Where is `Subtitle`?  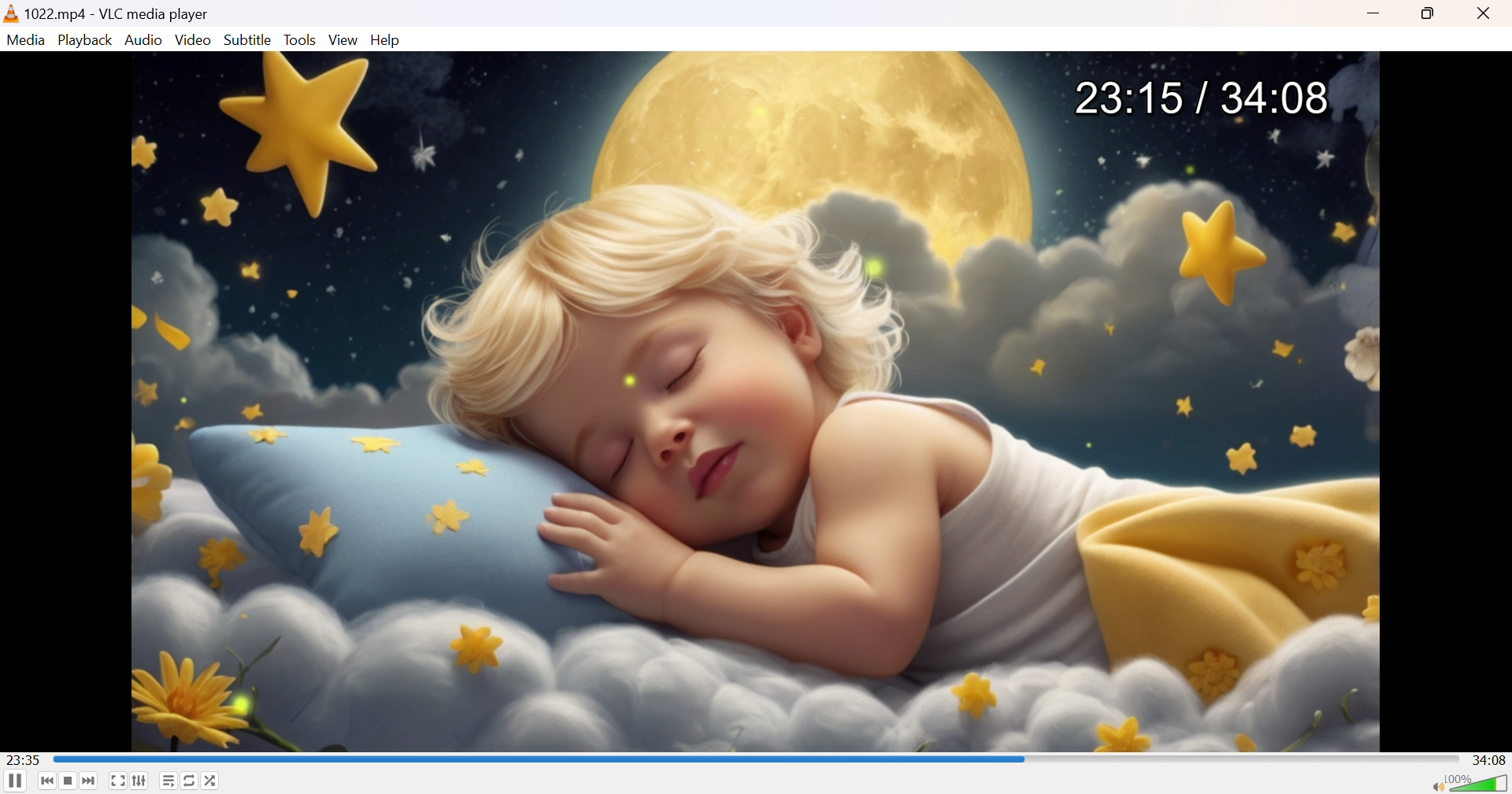
Subtitle is located at coordinates (248, 39).